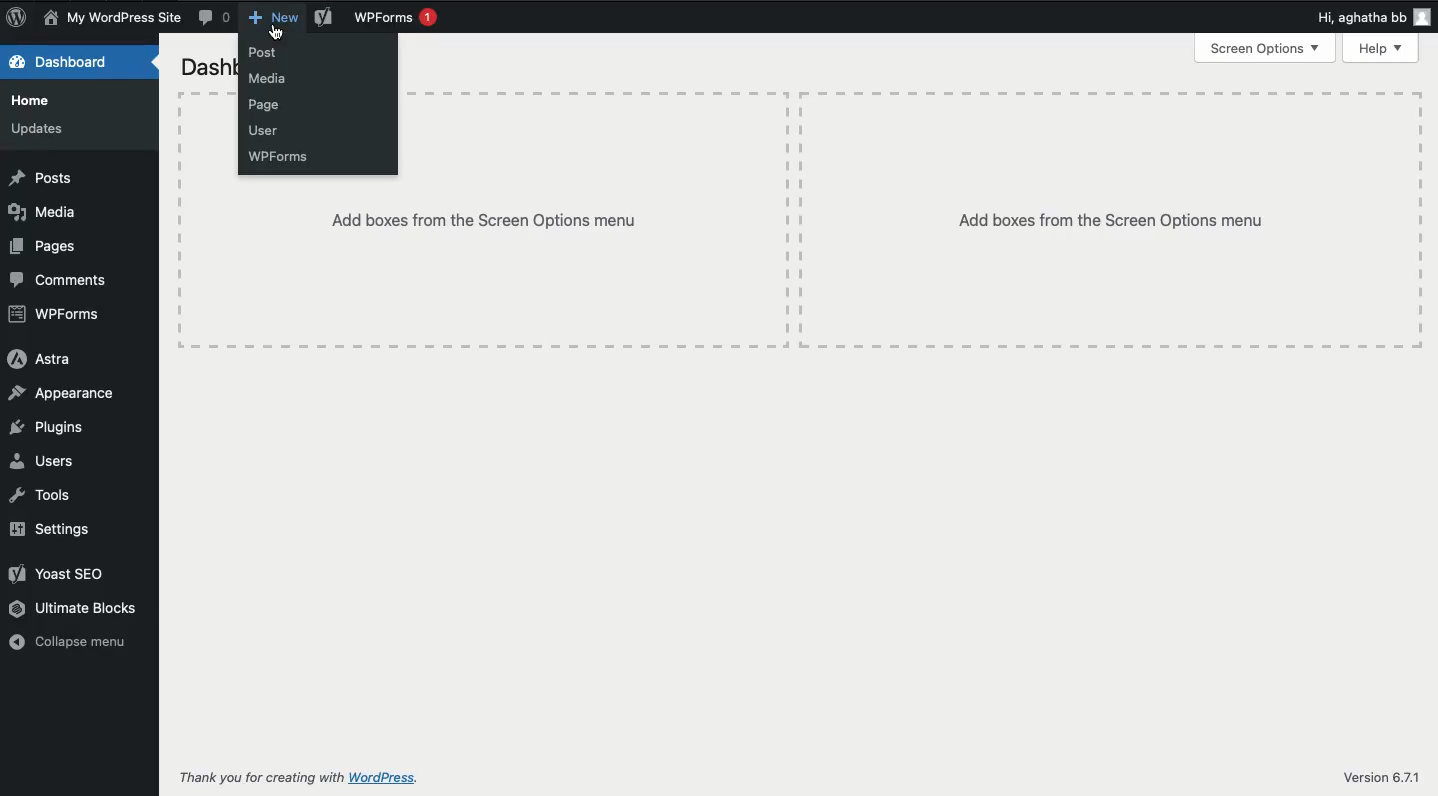 This screenshot has height=796, width=1438. What do you see at coordinates (68, 644) in the screenshot?
I see `Collapse menu` at bounding box center [68, 644].